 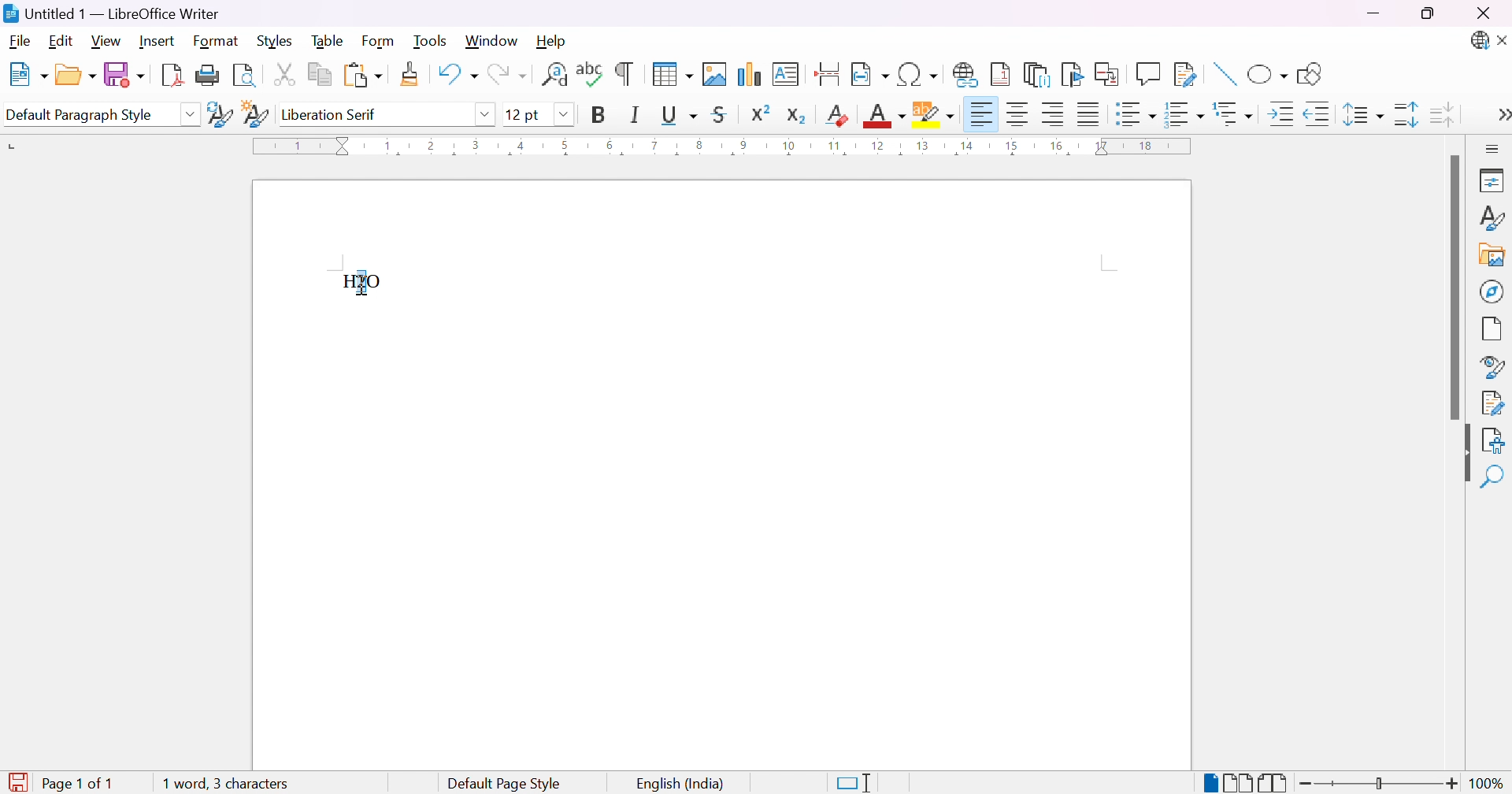 What do you see at coordinates (157, 41) in the screenshot?
I see `Insert` at bounding box center [157, 41].